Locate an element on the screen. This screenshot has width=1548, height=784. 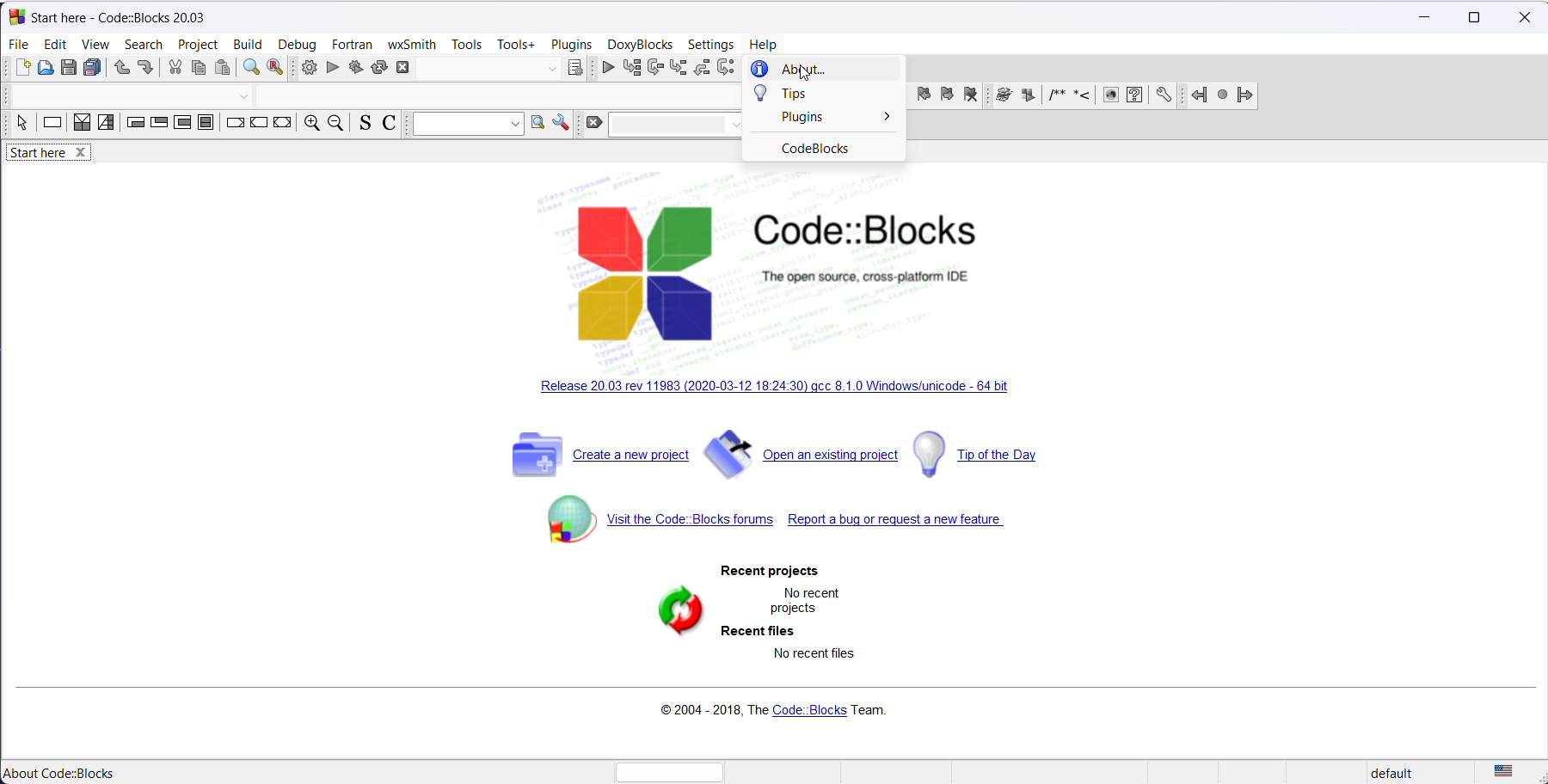
file title is located at coordinates (115, 16).